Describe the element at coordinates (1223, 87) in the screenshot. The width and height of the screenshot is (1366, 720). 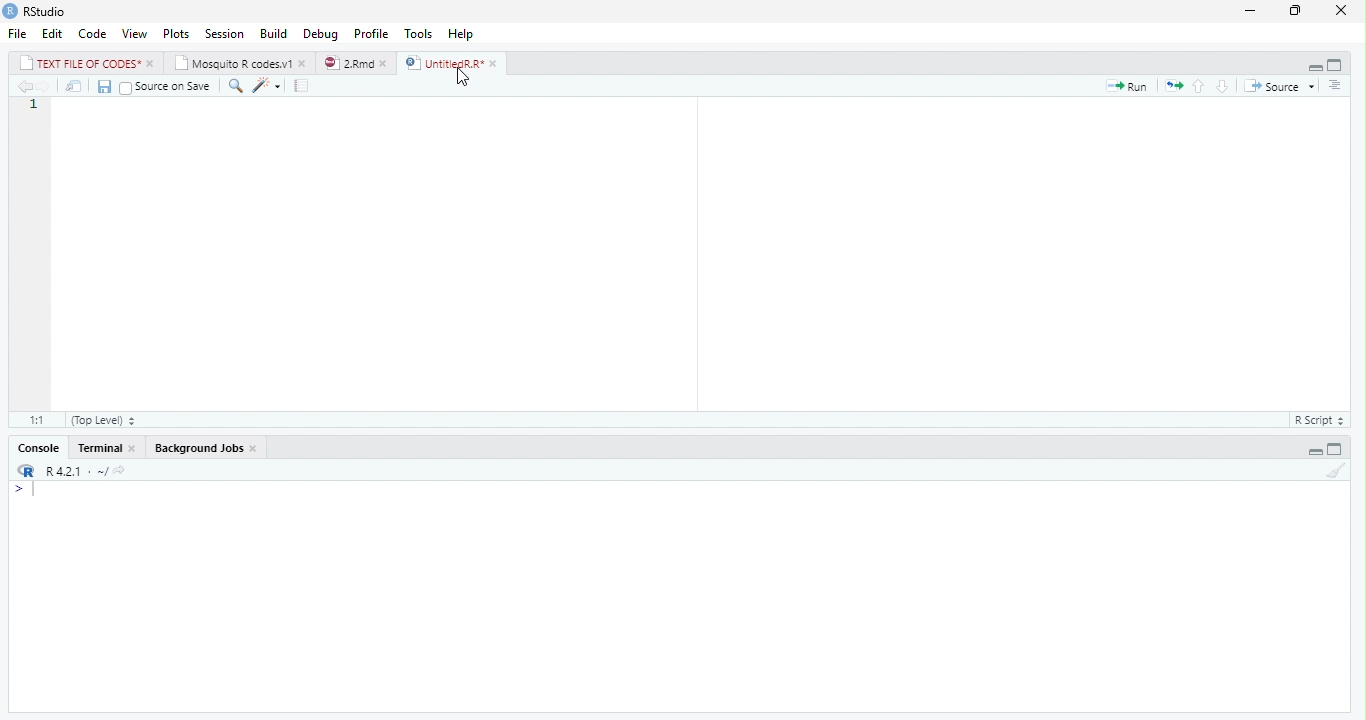
I see `Go to next section` at that location.